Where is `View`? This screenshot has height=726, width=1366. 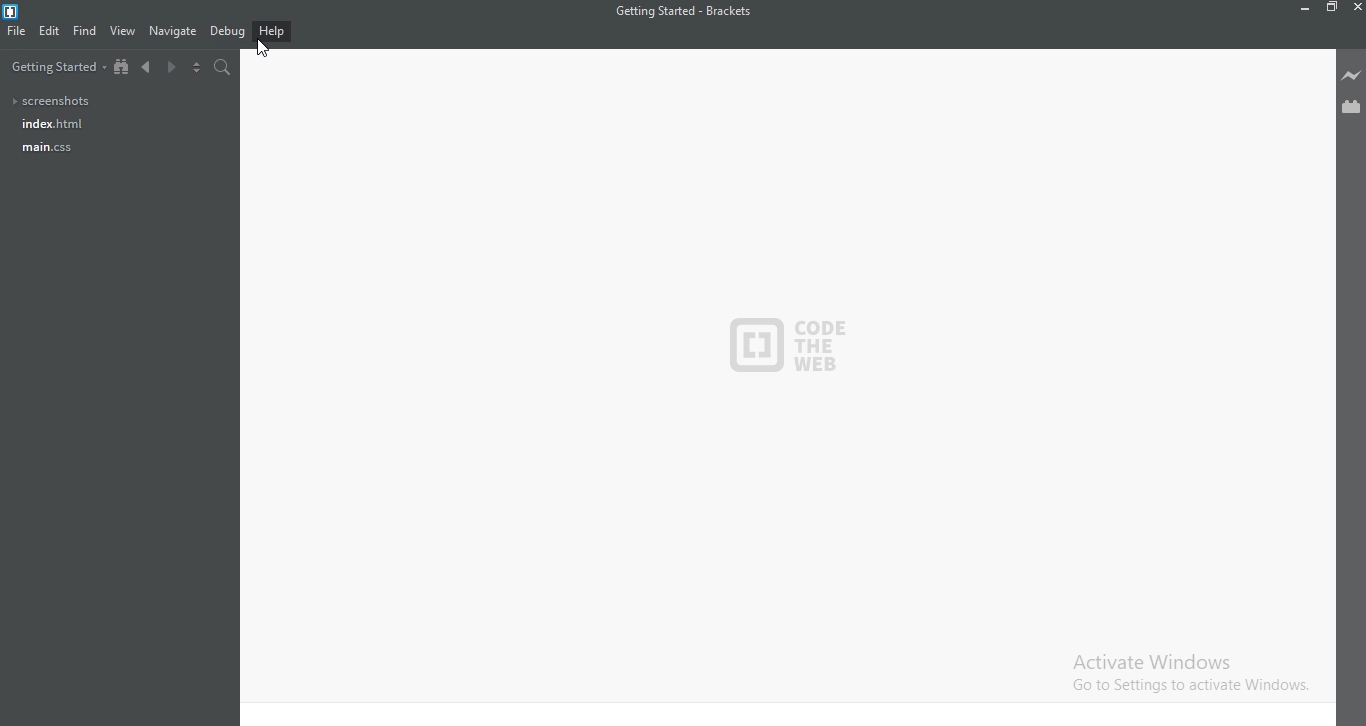 View is located at coordinates (124, 30).